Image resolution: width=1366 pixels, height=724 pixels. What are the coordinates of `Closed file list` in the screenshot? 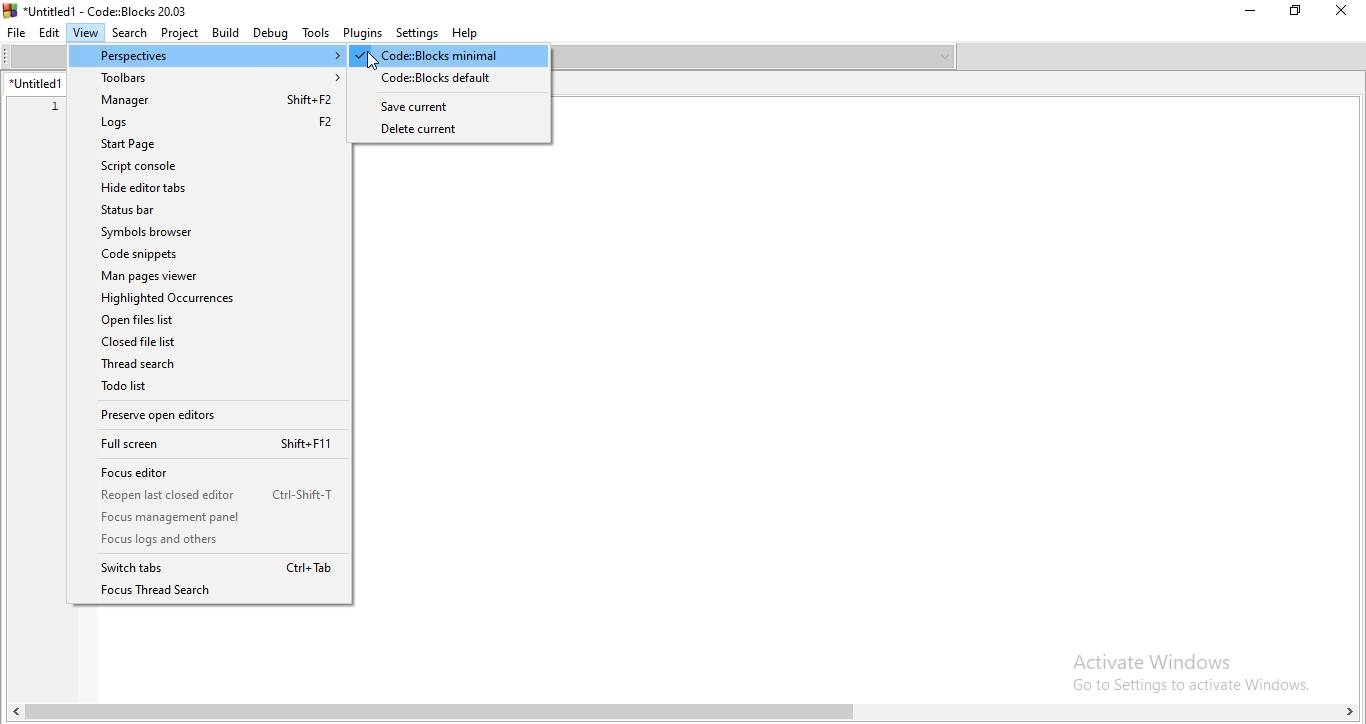 It's located at (207, 341).